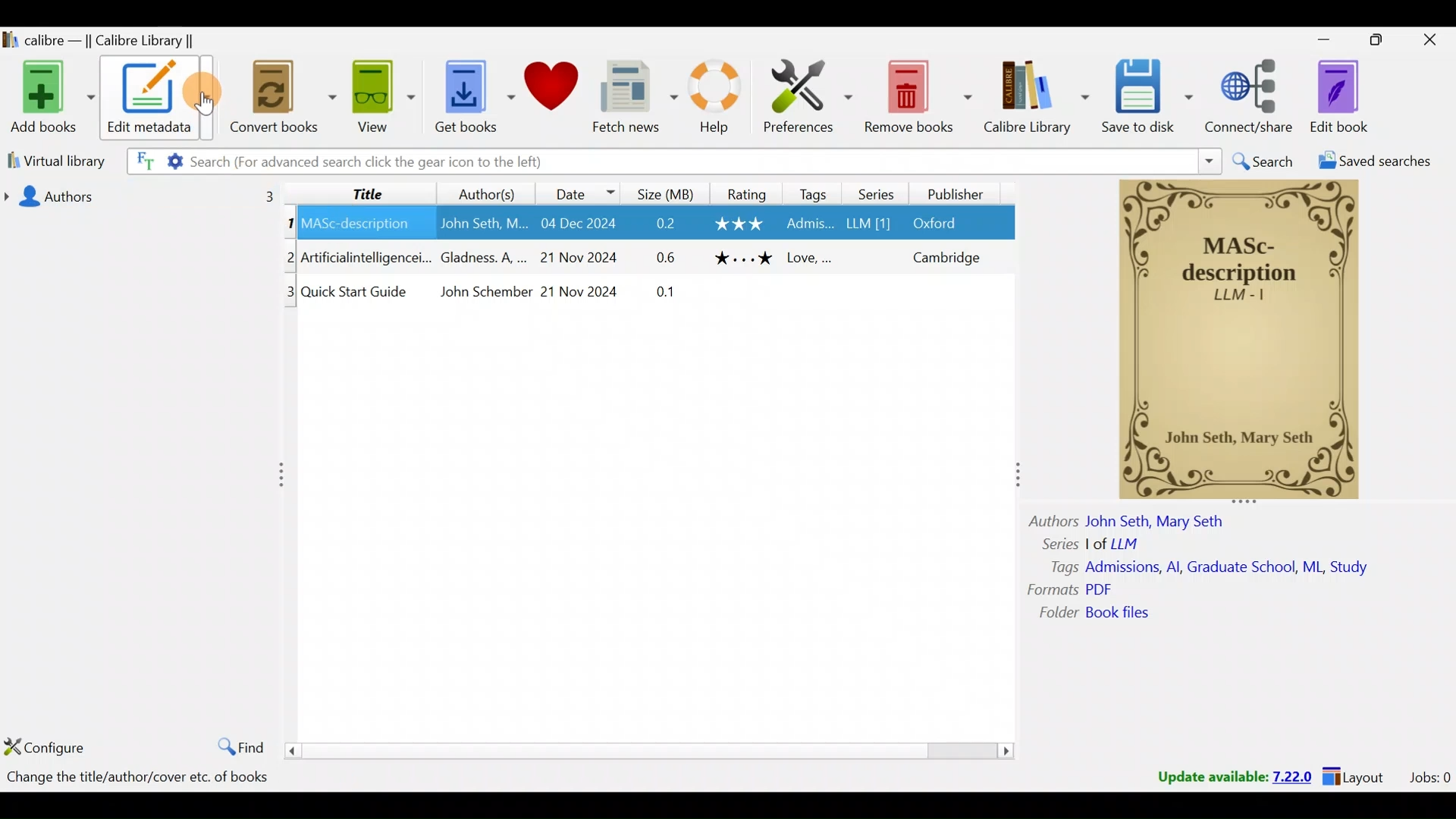 This screenshot has width=1456, height=819. I want to click on Jobs, so click(1428, 780).